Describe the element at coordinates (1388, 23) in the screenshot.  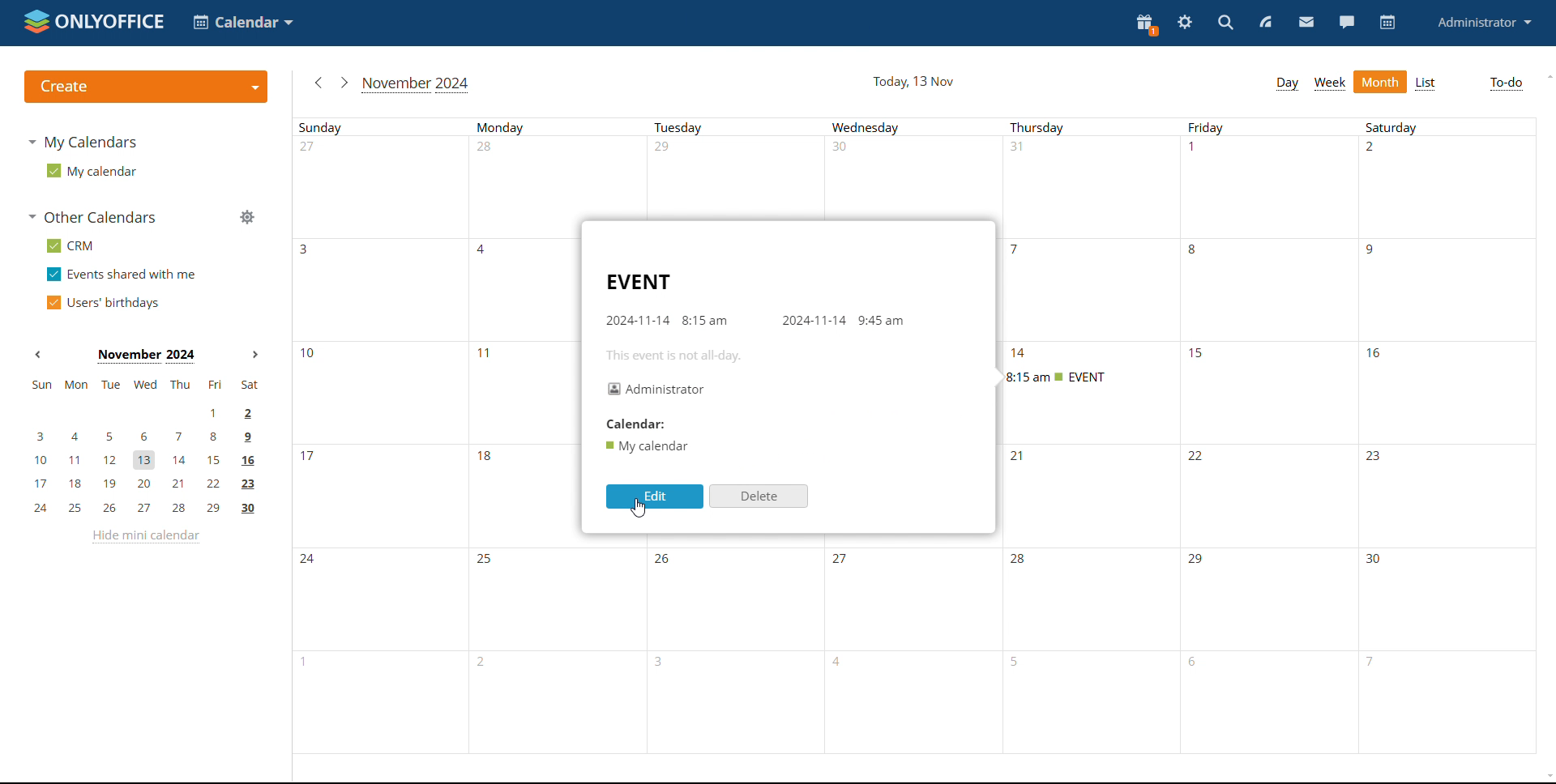
I see `calendar` at that location.